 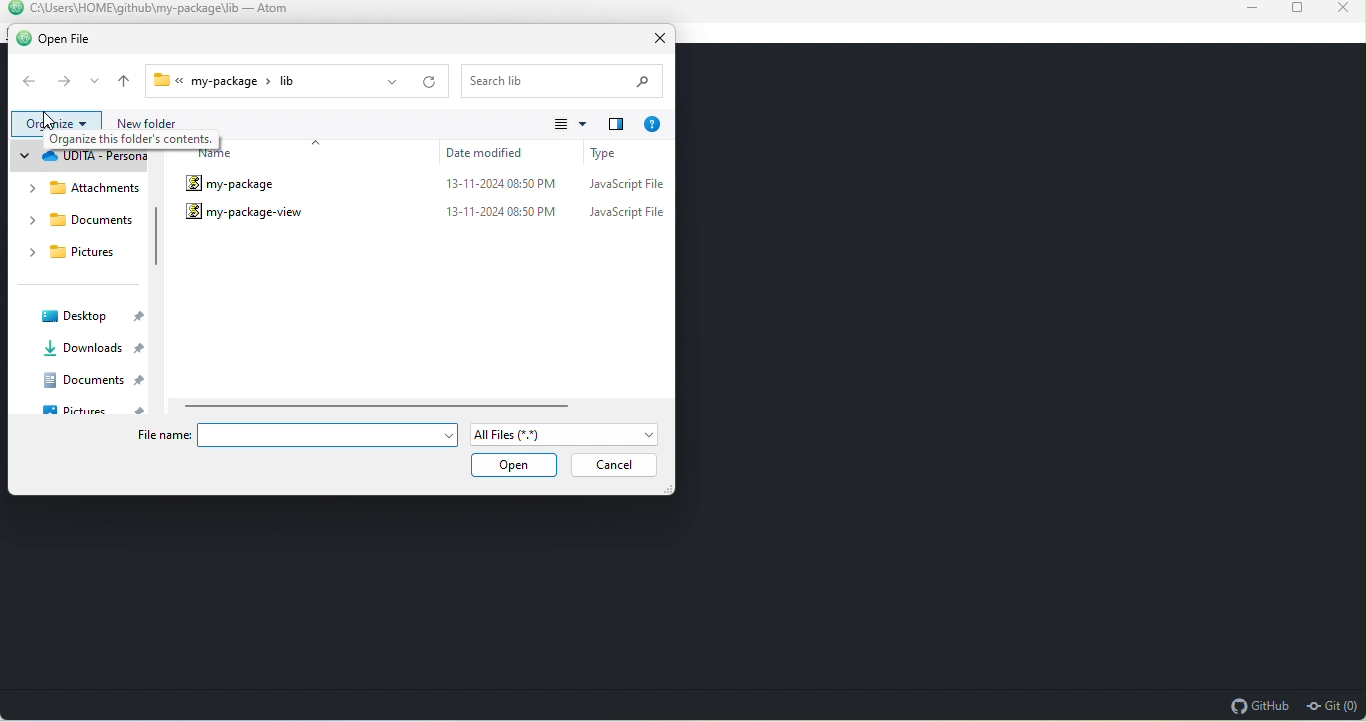 What do you see at coordinates (58, 125) in the screenshot?
I see `organize` at bounding box center [58, 125].